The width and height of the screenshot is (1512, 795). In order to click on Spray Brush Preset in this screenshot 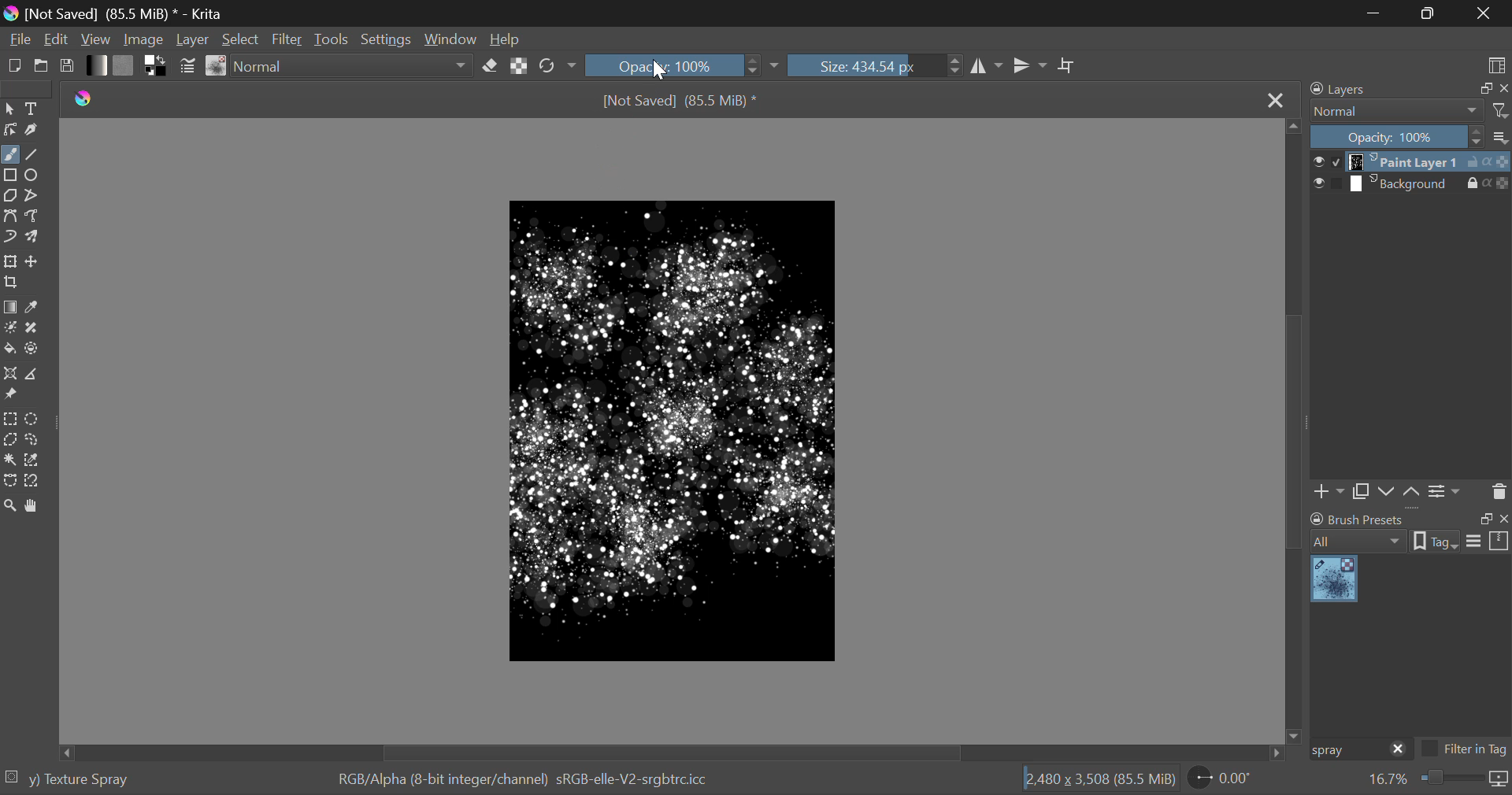, I will do `click(1334, 580)`.